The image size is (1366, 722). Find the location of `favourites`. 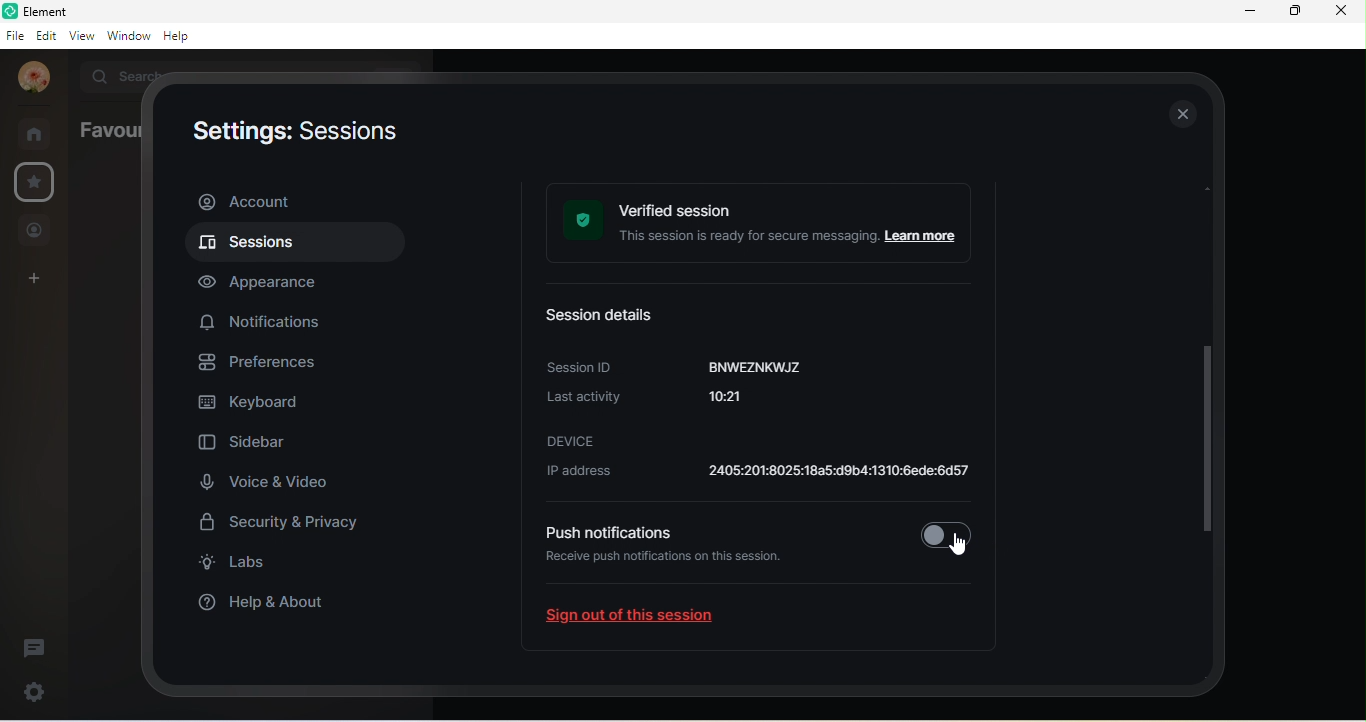

favourites is located at coordinates (106, 130).